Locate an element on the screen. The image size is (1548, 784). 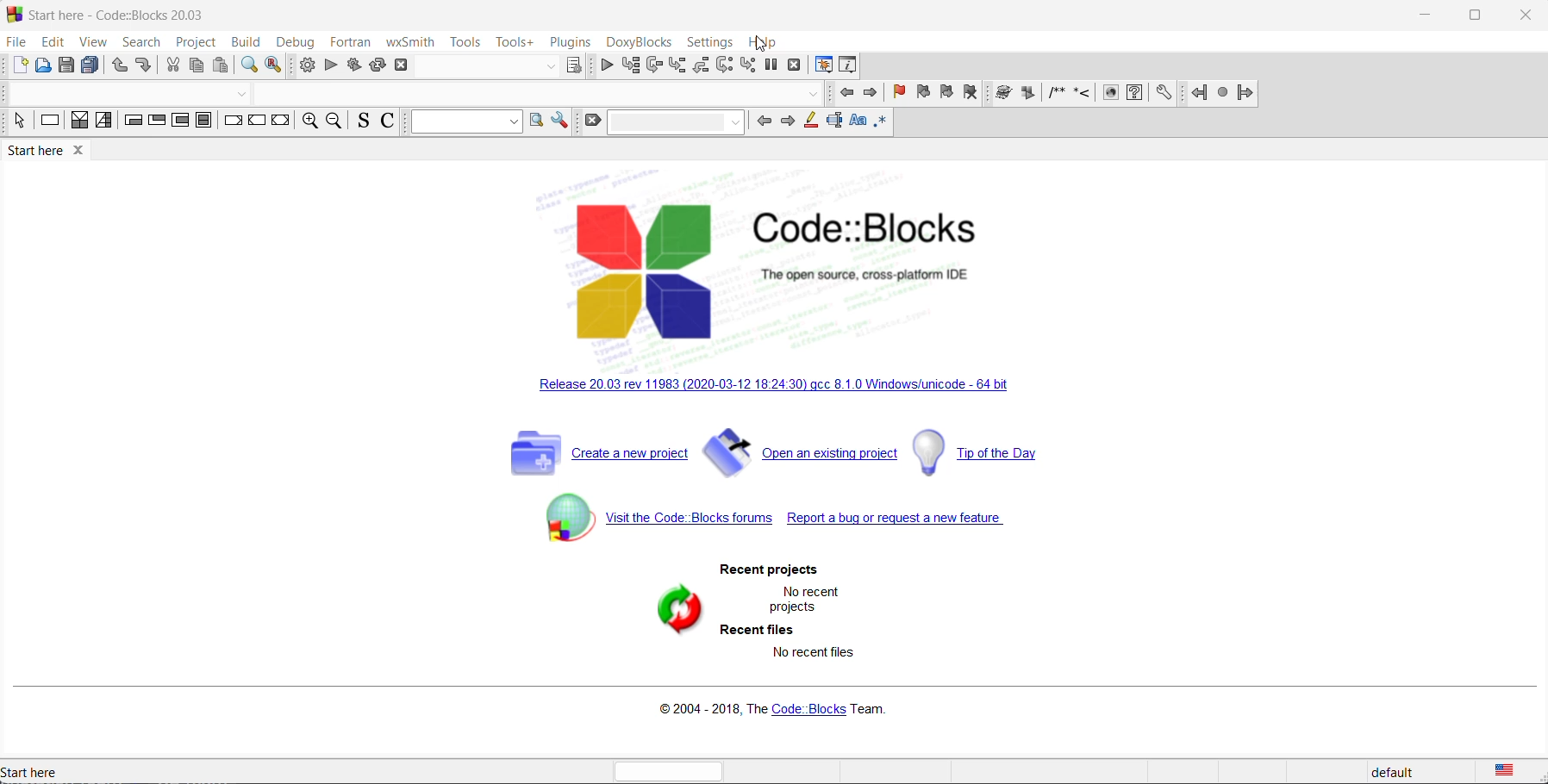
rebuild is located at coordinates (377, 67).